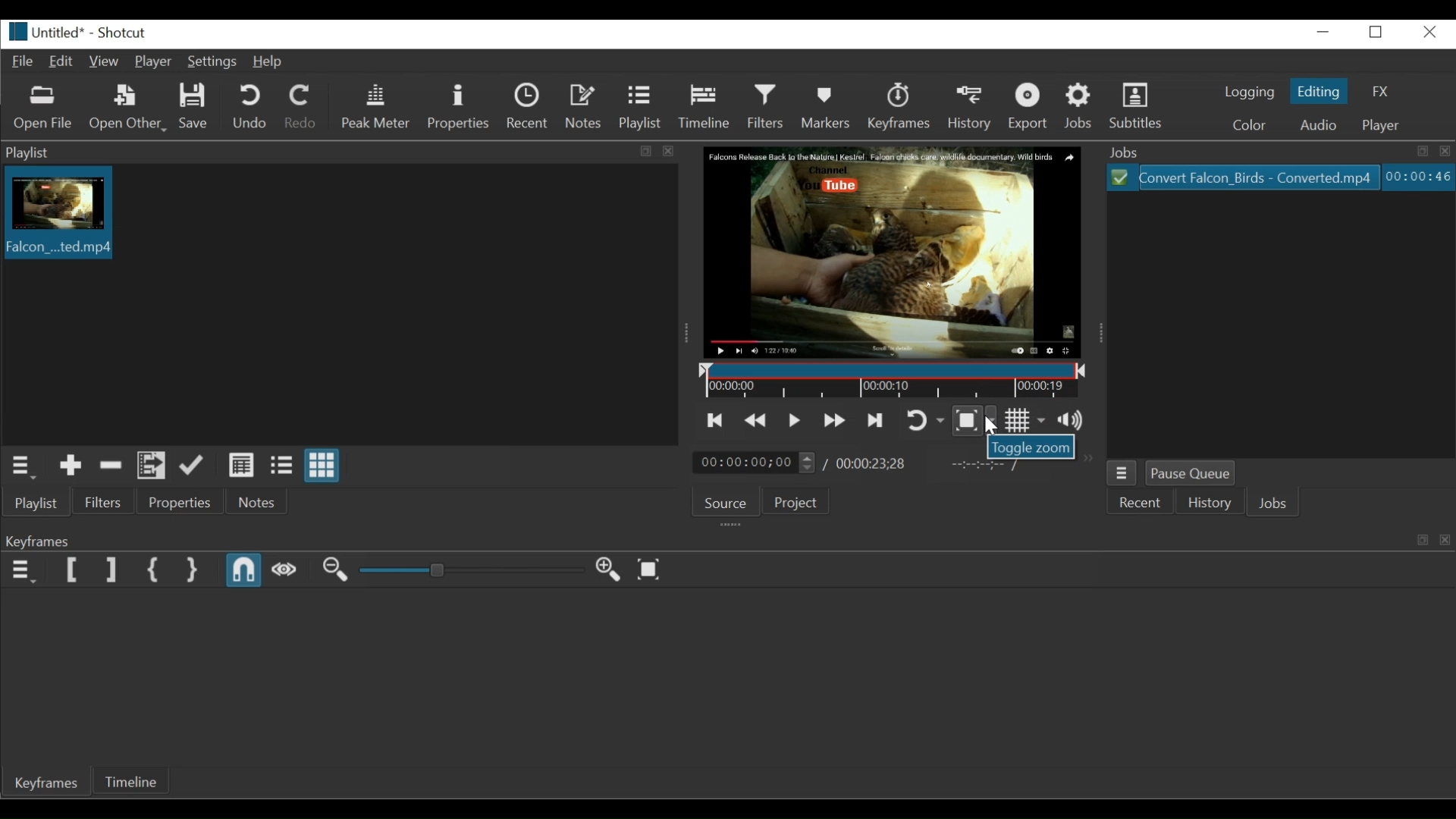  What do you see at coordinates (299, 107) in the screenshot?
I see `Redo` at bounding box center [299, 107].